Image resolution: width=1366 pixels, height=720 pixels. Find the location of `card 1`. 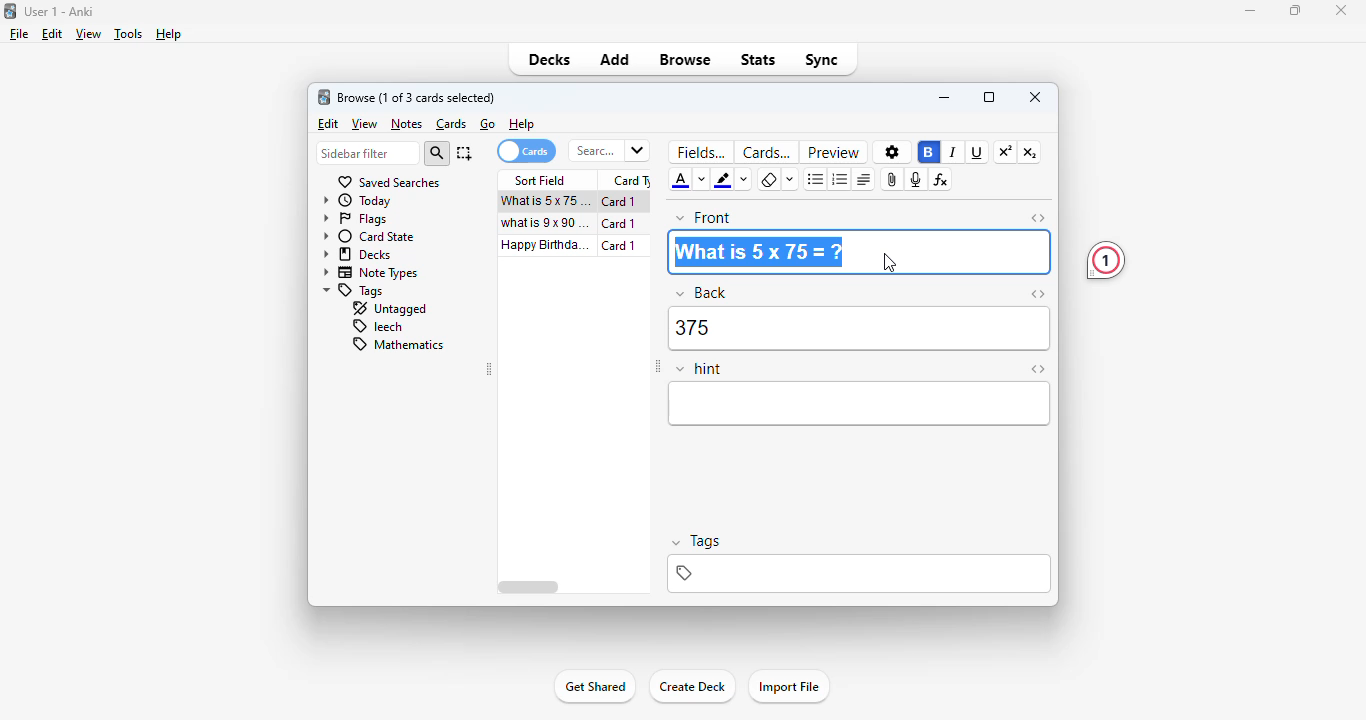

card 1 is located at coordinates (619, 202).